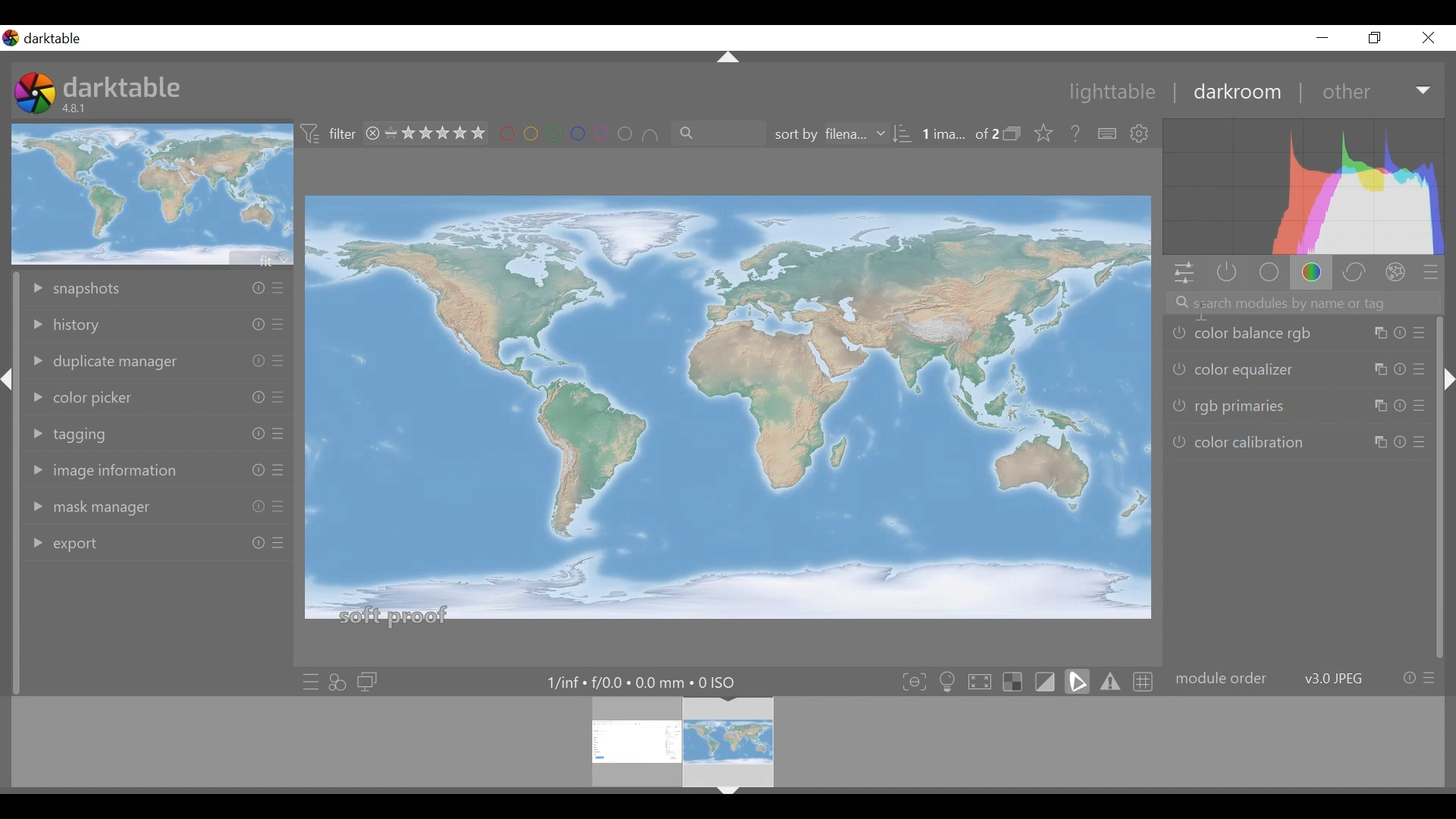  I want to click on Version, so click(77, 108).